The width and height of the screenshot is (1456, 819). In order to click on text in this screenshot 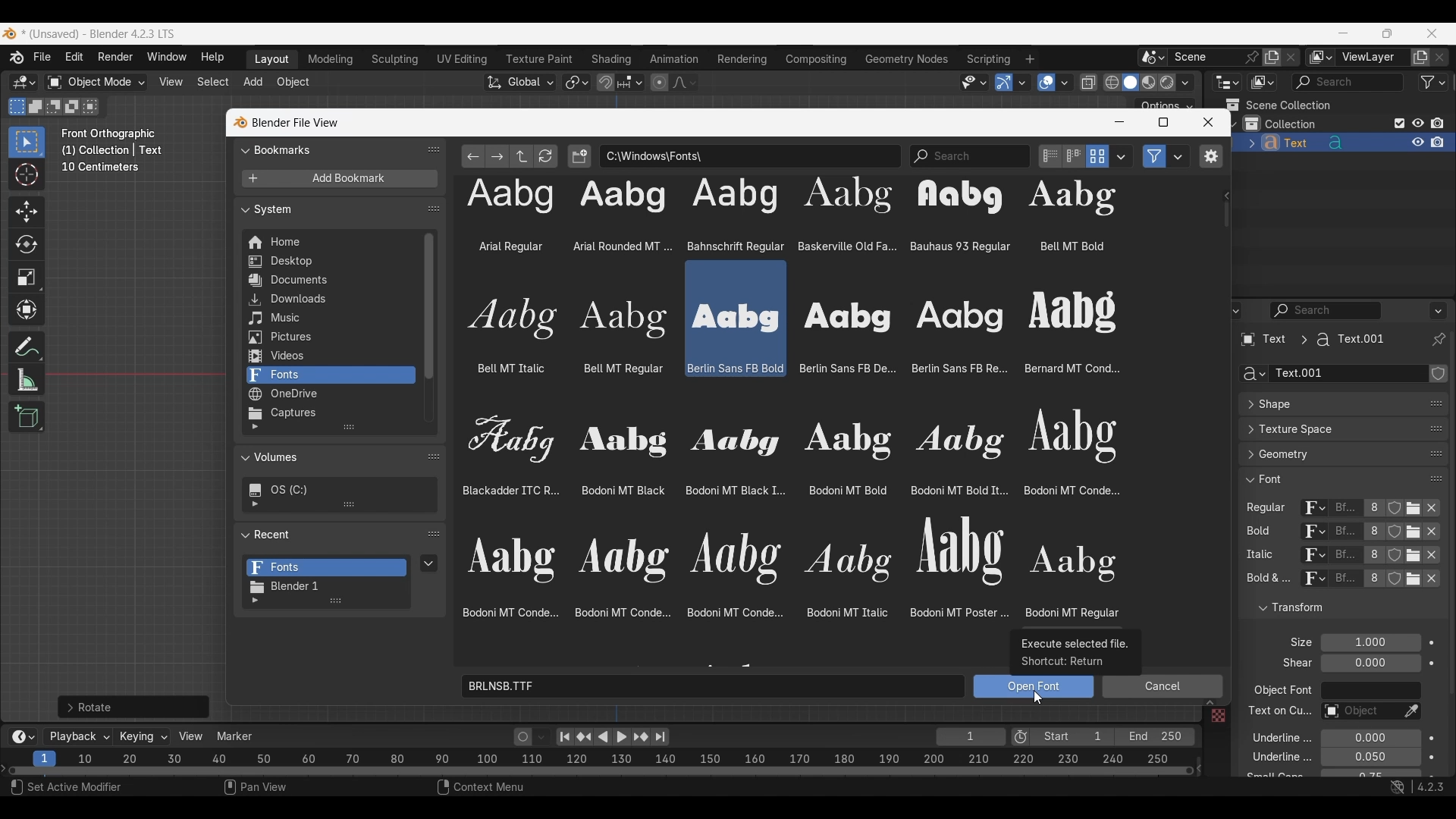, I will do `click(1293, 664)`.